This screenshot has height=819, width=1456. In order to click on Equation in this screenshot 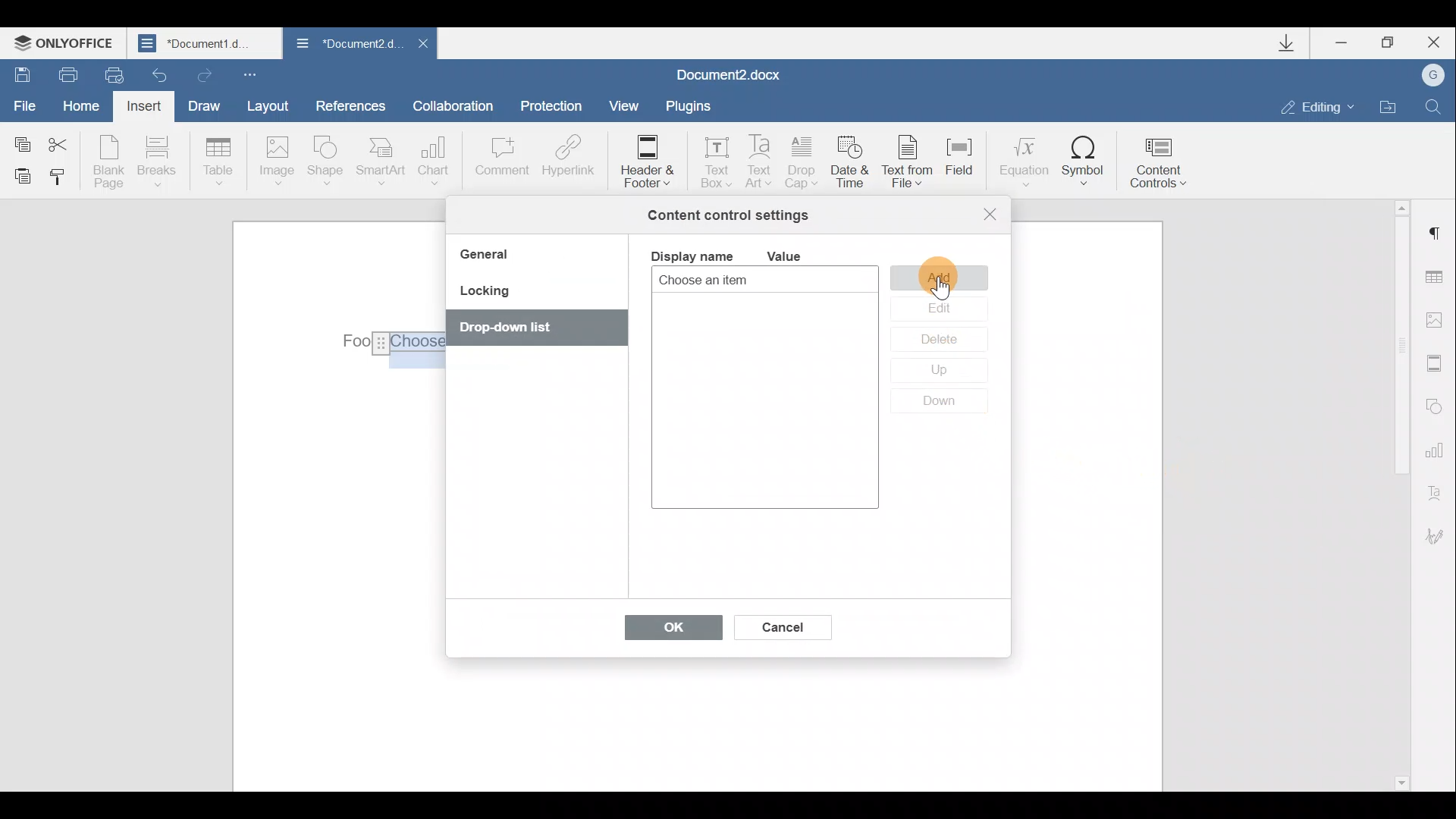, I will do `click(1022, 158)`.